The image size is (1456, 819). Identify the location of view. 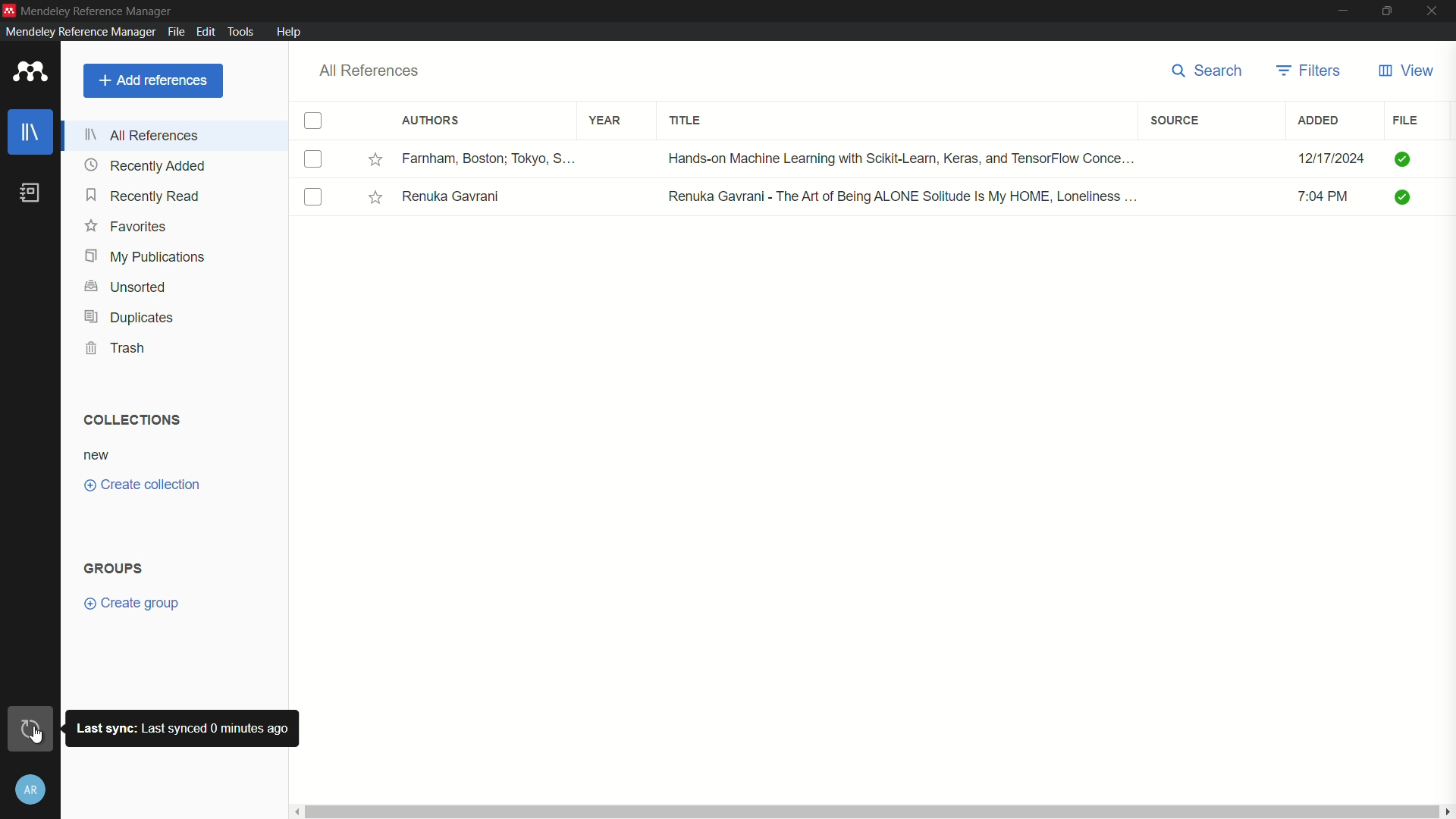
(1407, 71).